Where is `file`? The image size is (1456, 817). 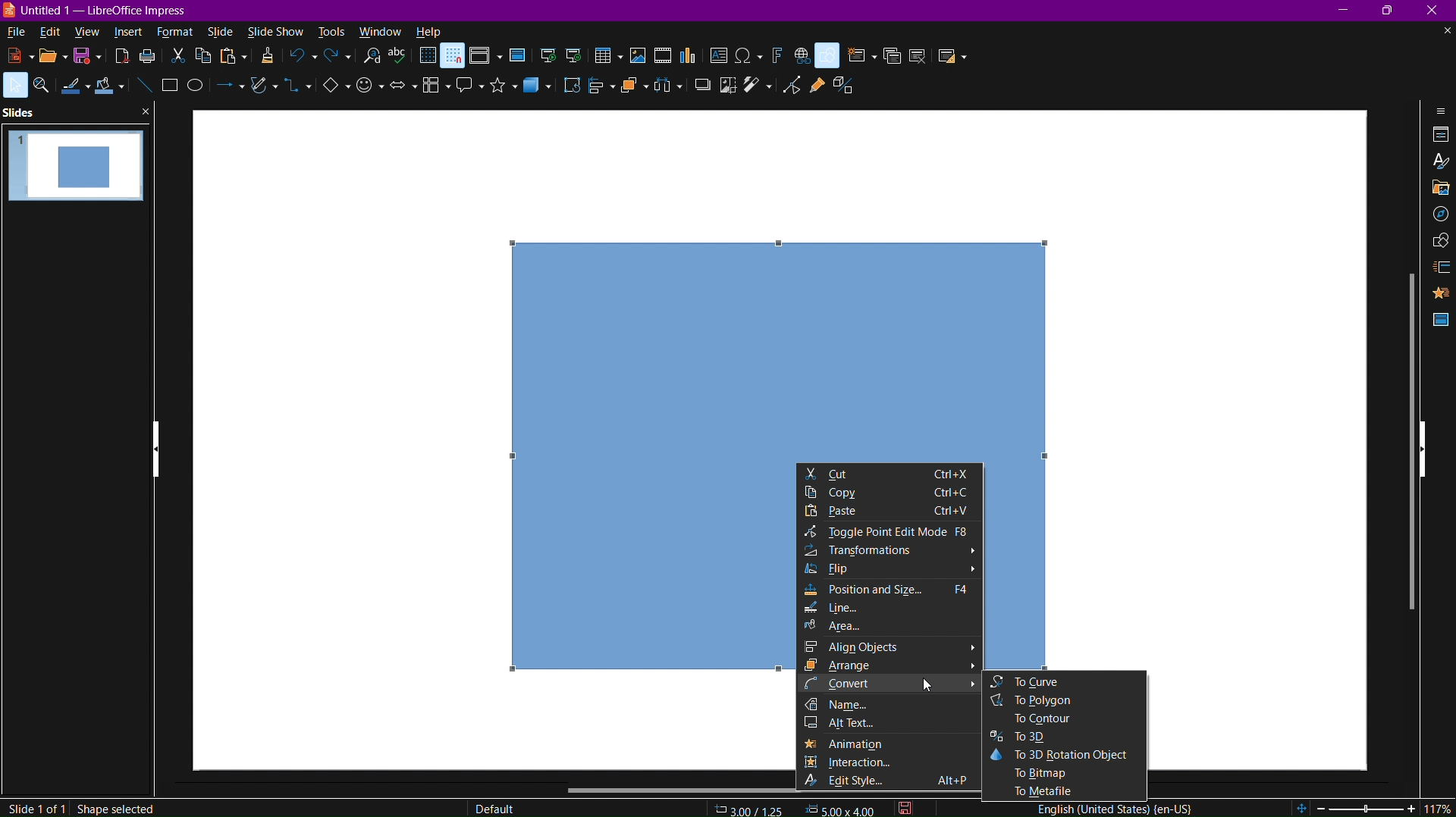
file is located at coordinates (14, 33).